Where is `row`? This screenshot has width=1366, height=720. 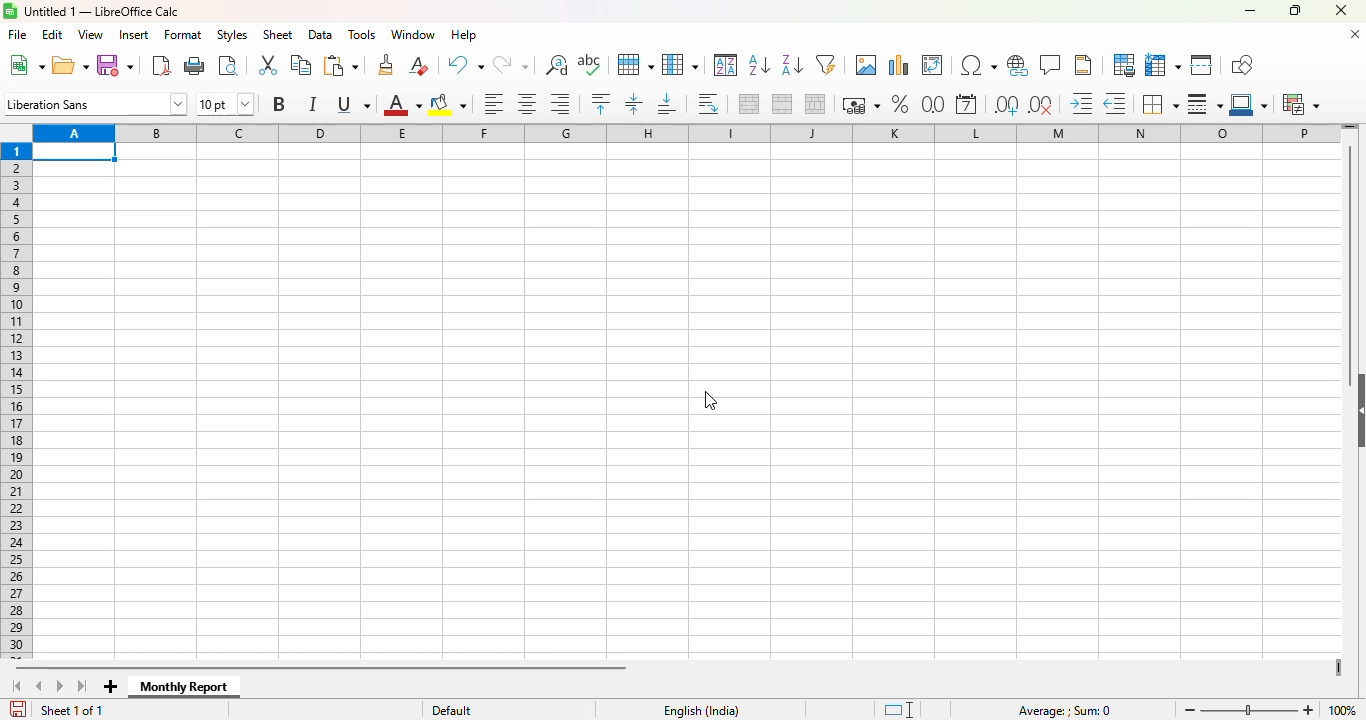 row is located at coordinates (635, 65).